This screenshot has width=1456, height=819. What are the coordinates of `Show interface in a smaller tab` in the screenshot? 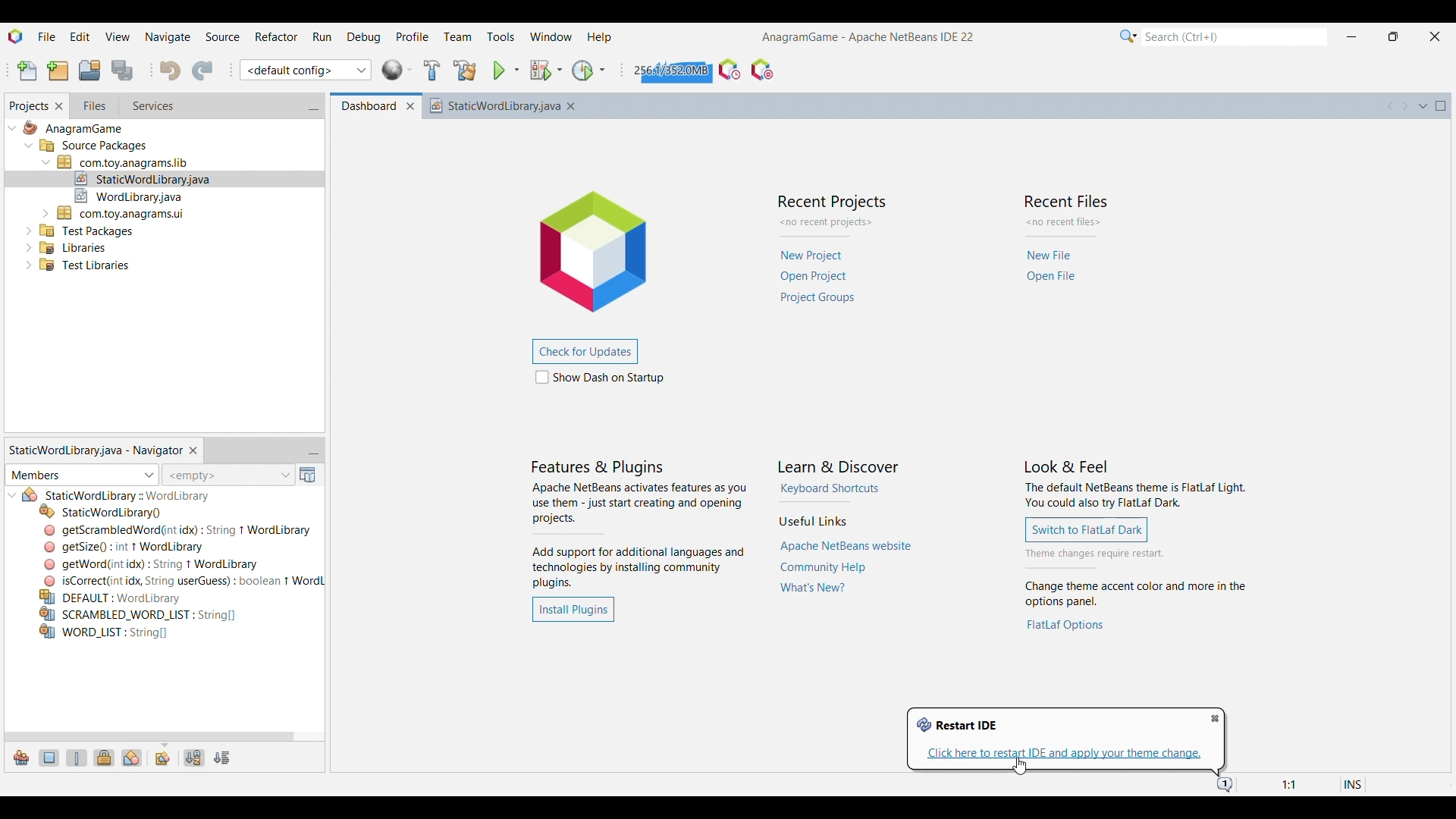 It's located at (1394, 36).